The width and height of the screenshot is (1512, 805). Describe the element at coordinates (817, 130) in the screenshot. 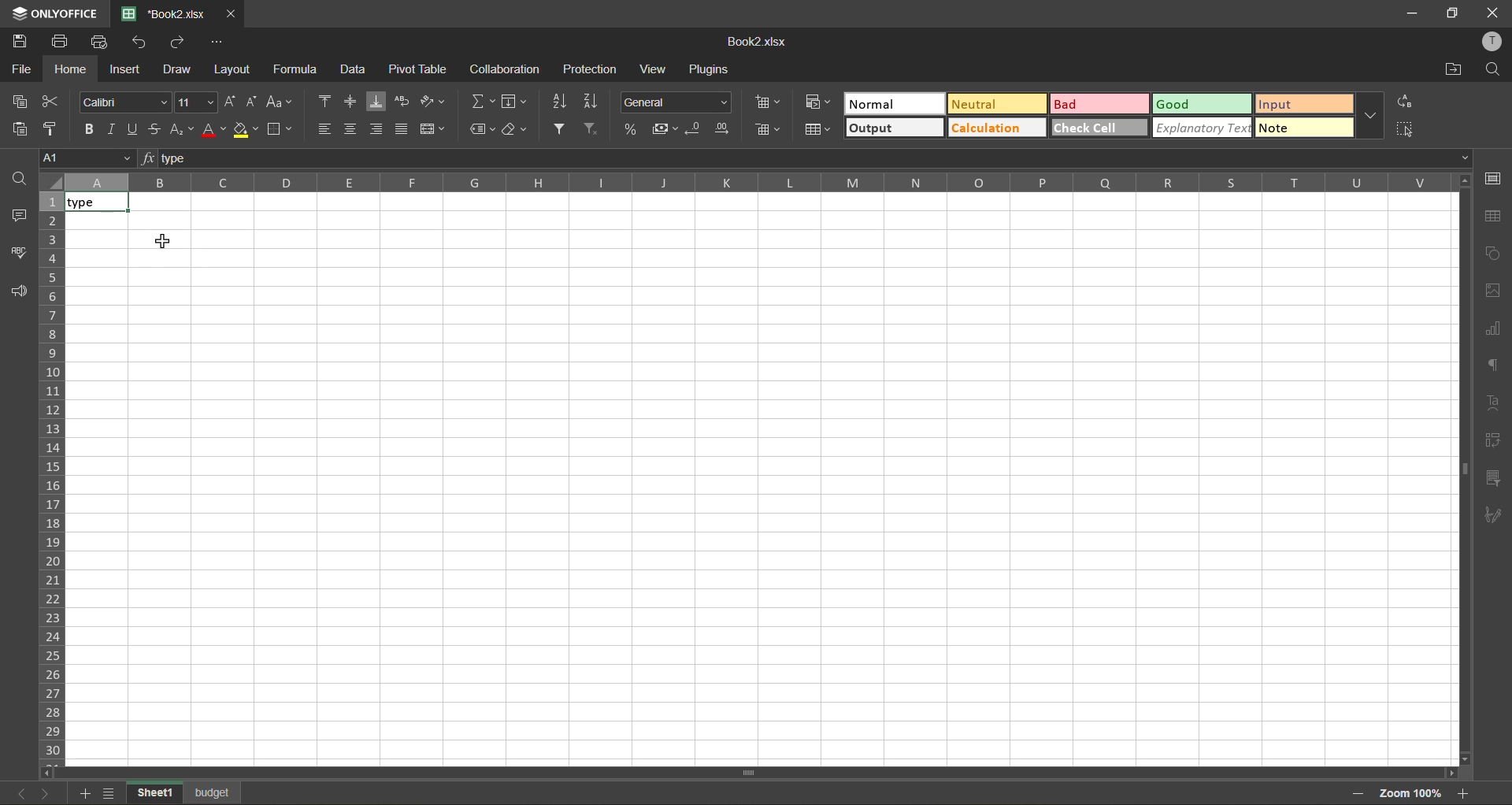

I see `format as table` at that location.